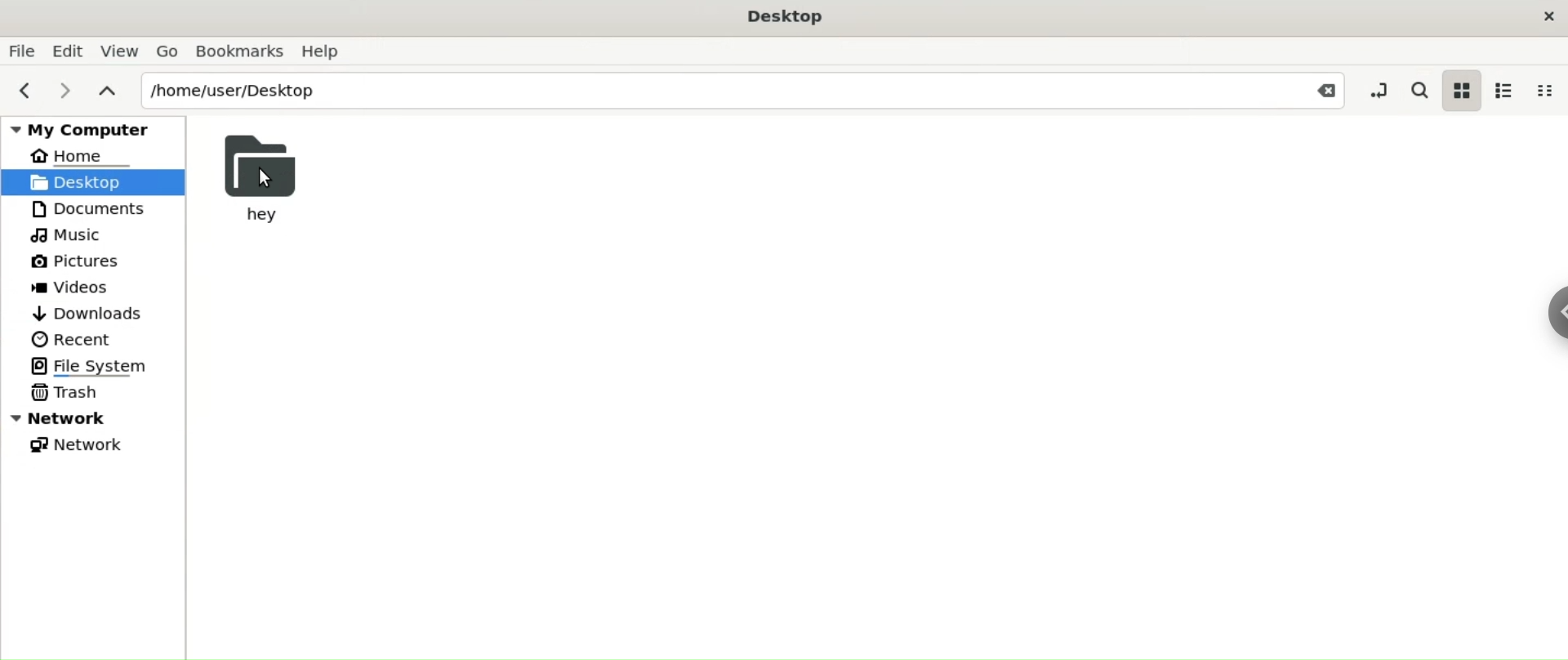  Describe the element at coordinates (65, 393) in the screenshot. I see `Trash` at that location.